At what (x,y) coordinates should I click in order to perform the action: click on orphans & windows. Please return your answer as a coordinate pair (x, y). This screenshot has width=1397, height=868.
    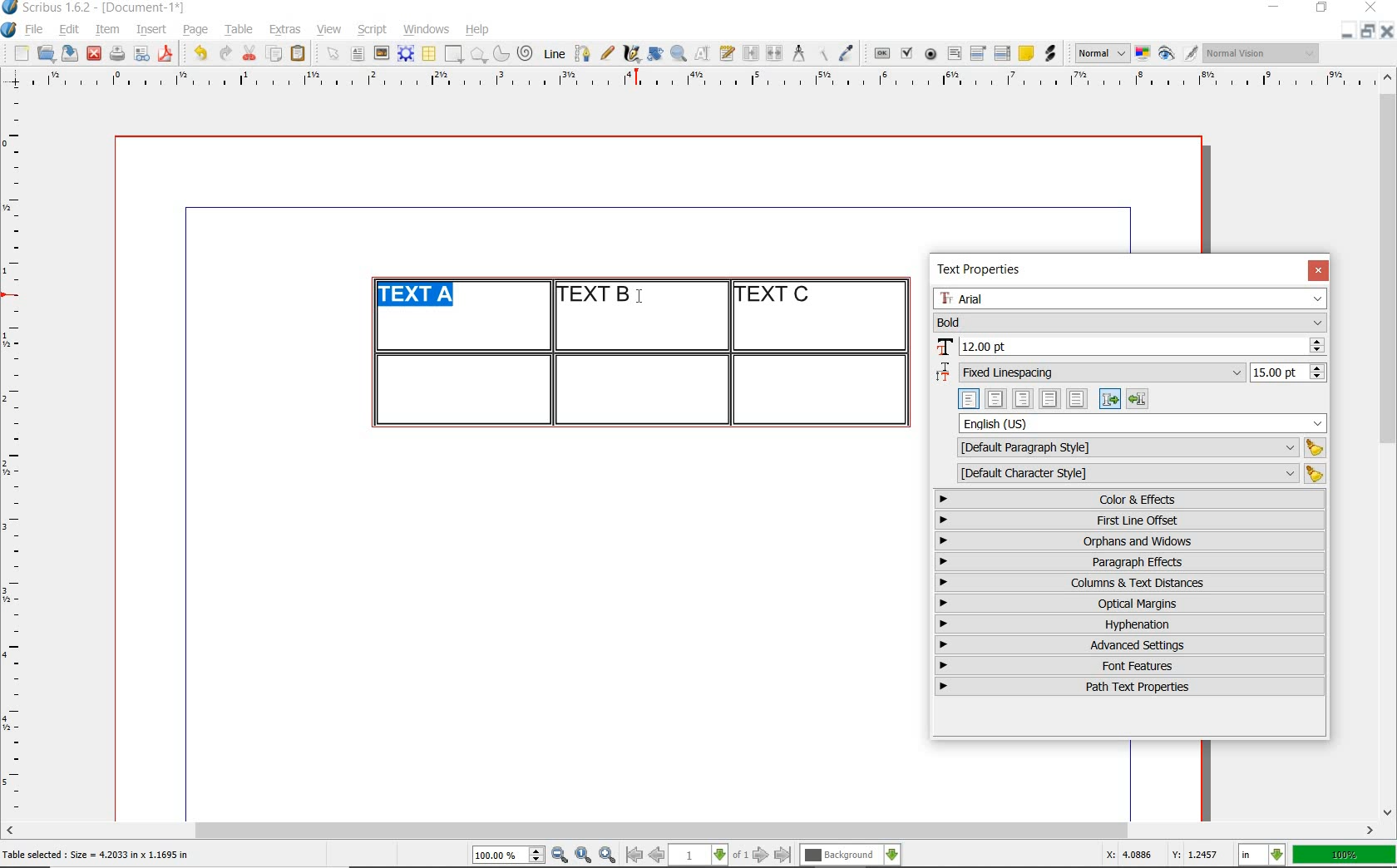
    Looking at the image, I should click on (1128, 542).